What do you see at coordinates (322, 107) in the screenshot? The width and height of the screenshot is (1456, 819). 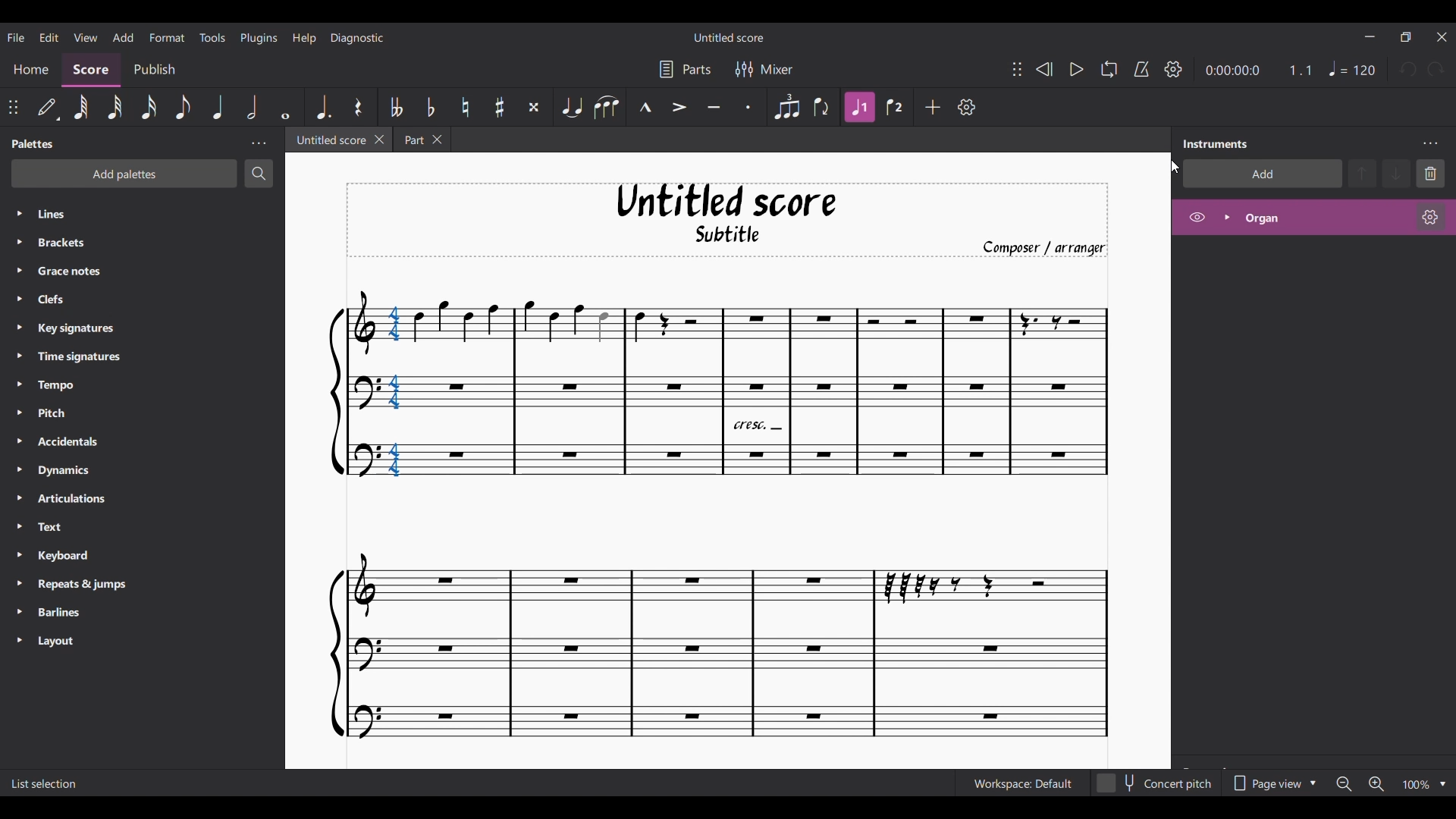 I see `Augmentation dot` at bounding box center [322, 107].